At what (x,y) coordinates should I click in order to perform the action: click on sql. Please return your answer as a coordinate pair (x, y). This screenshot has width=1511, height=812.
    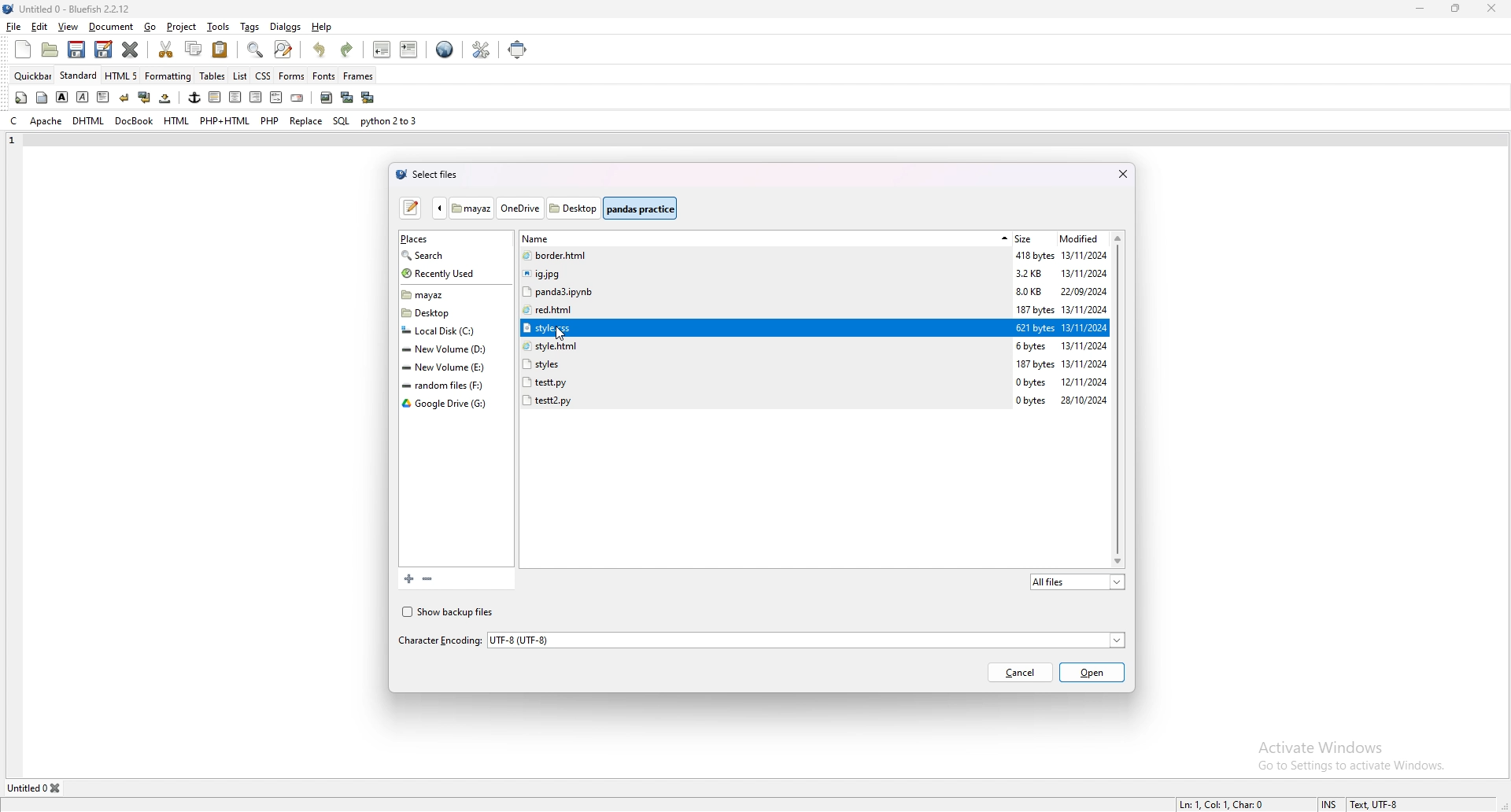
    Looking at the image, I should click on (342, 120).